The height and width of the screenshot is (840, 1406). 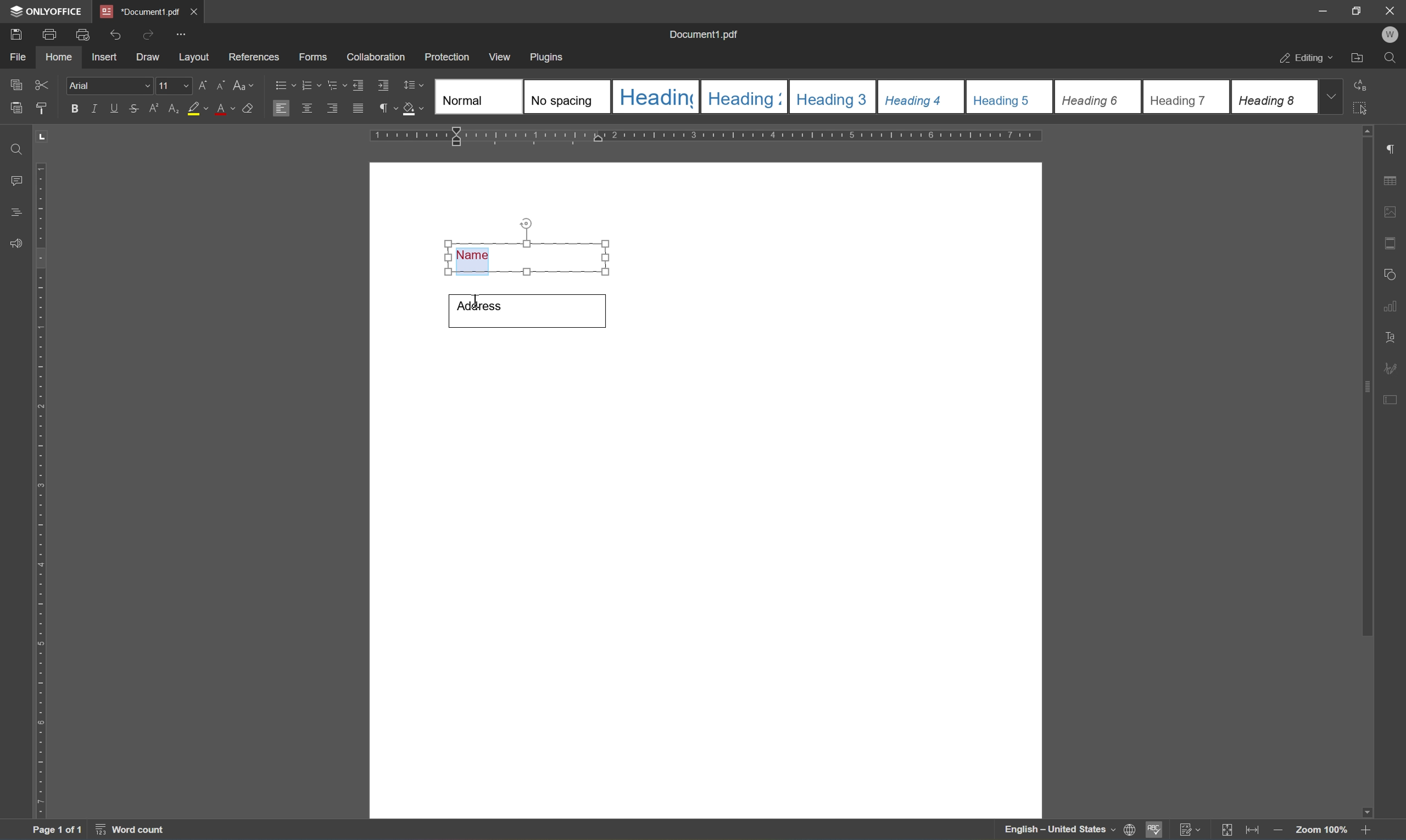 I want to click on editing, so click(x=1302, y=59).